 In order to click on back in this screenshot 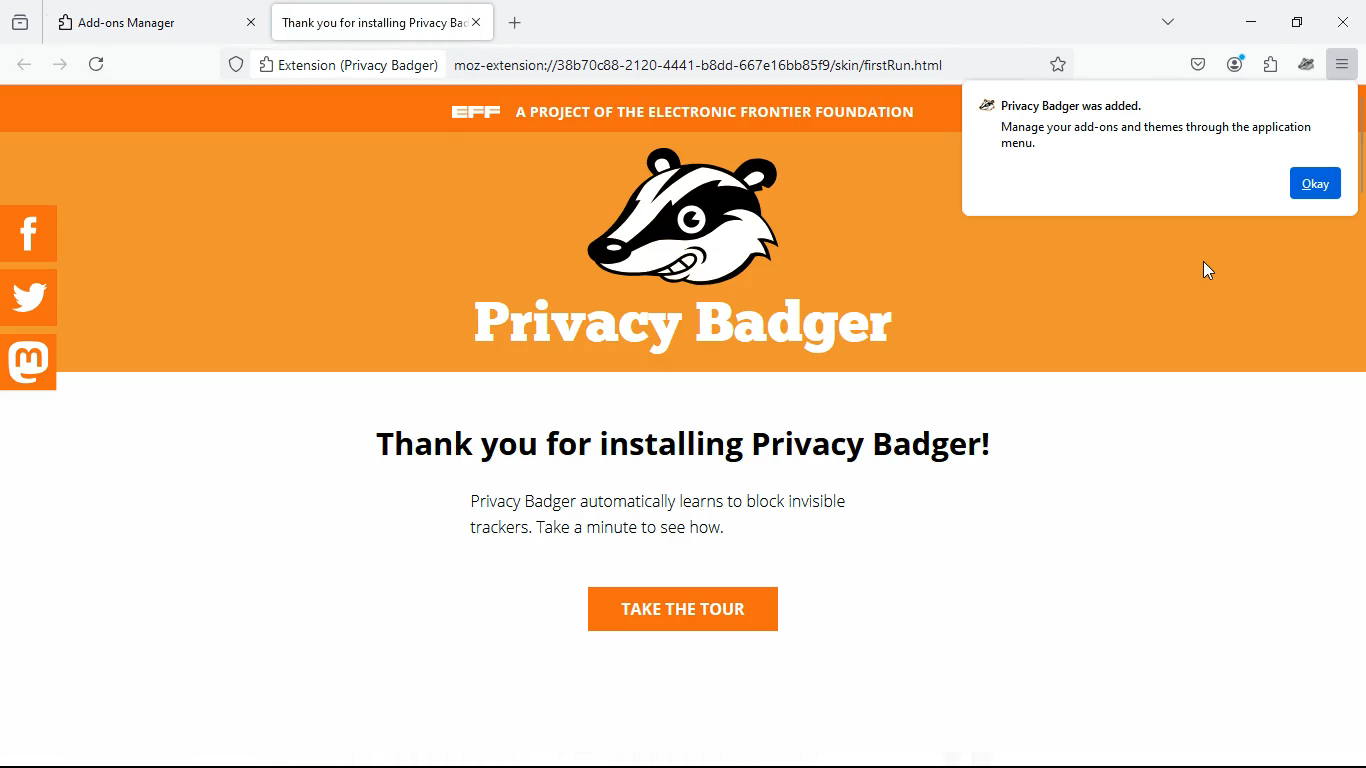, I will do `click(19, 66)`.